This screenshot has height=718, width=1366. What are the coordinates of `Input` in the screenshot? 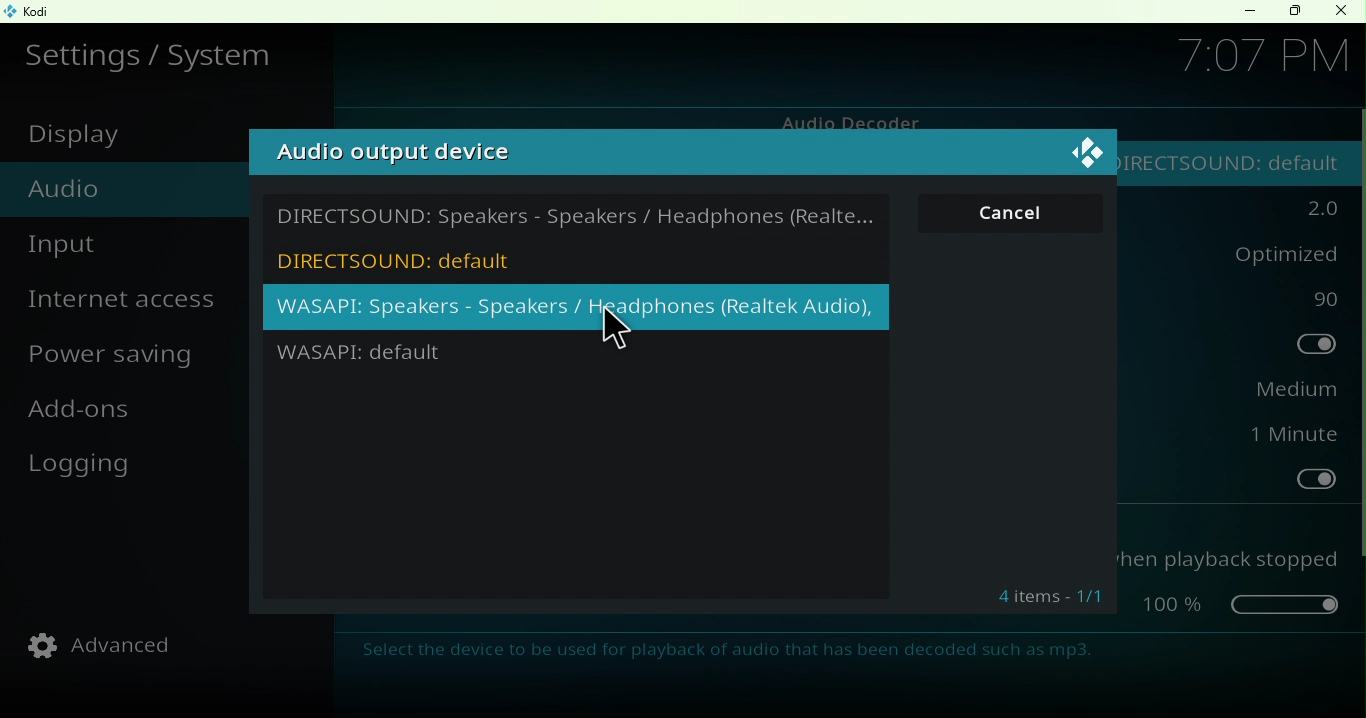 It's located at (68, 244).